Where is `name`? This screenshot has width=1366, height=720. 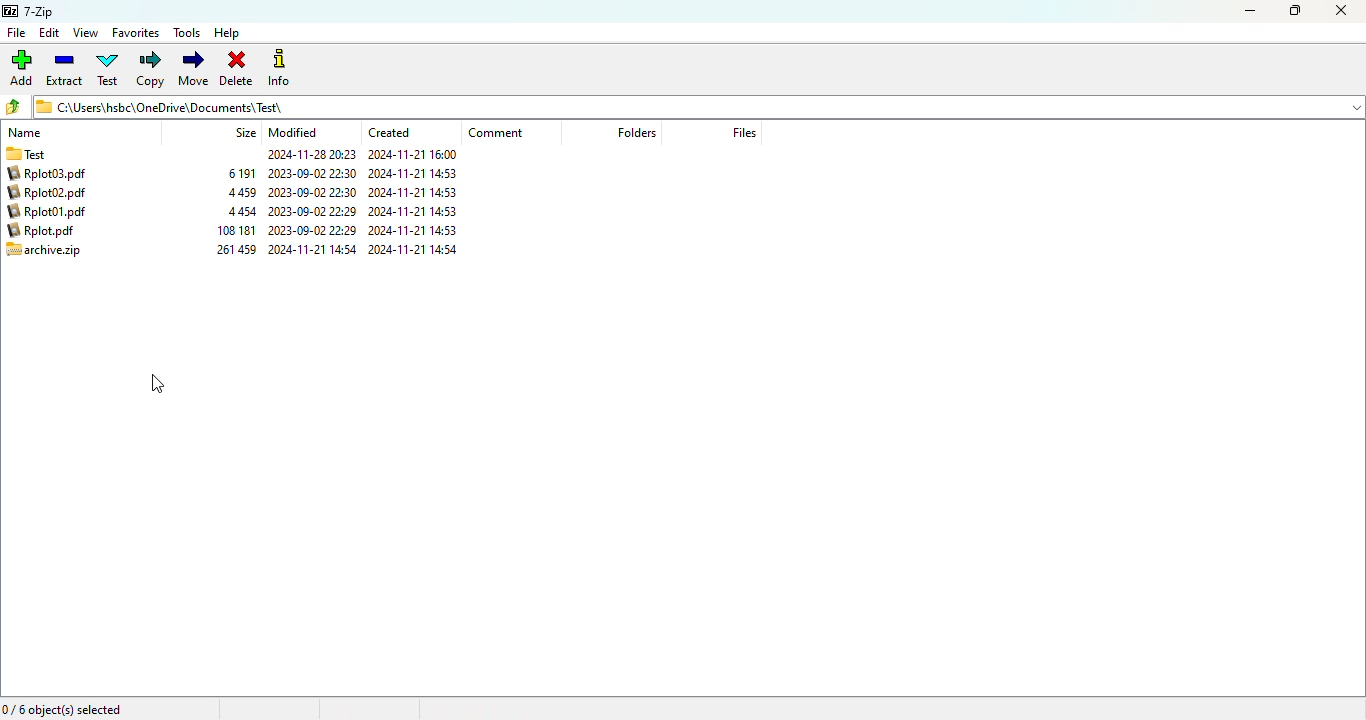
name is located at coordinates (25, 133).